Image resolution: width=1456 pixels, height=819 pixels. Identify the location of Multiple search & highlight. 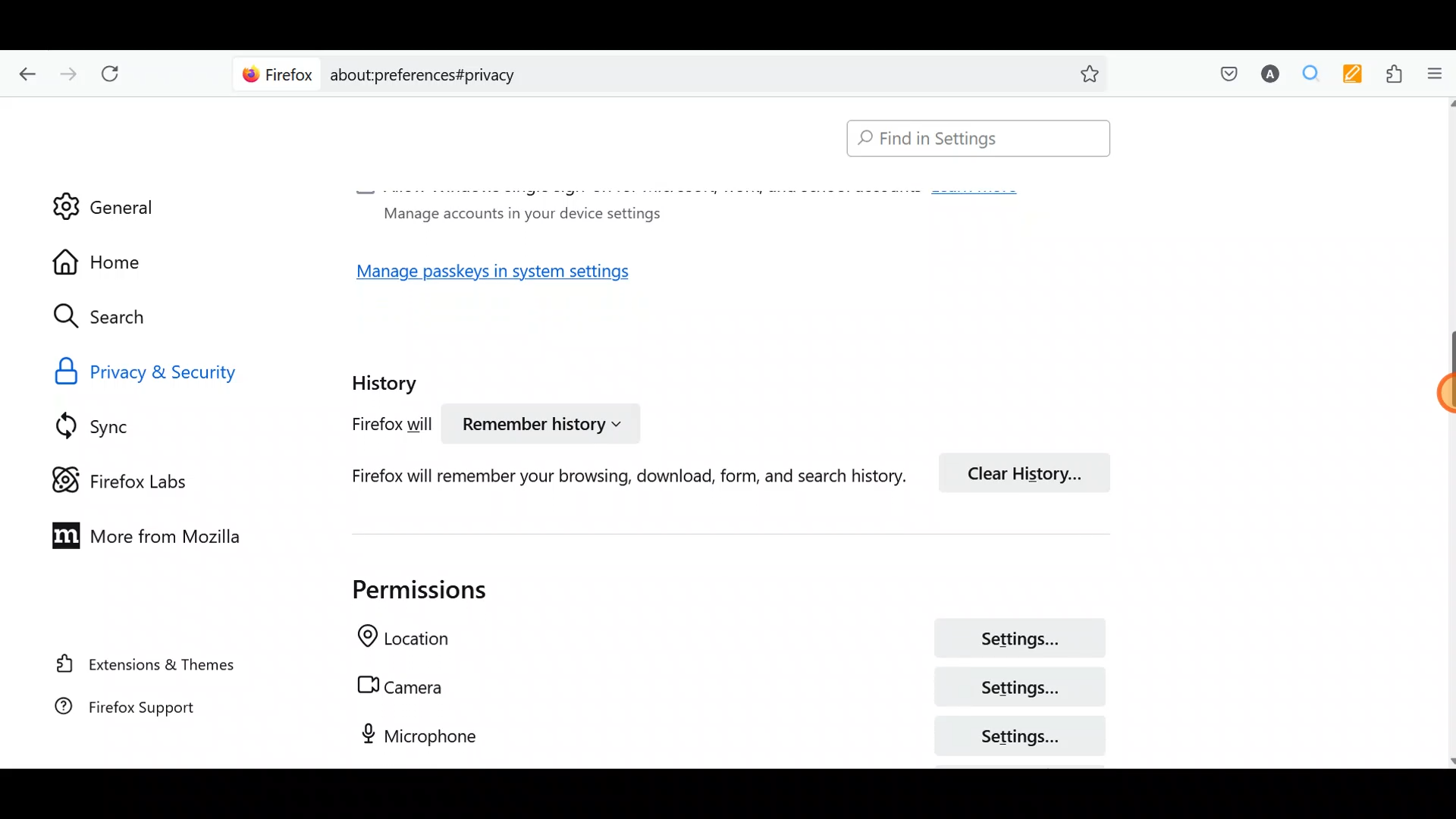
(1305, 75).